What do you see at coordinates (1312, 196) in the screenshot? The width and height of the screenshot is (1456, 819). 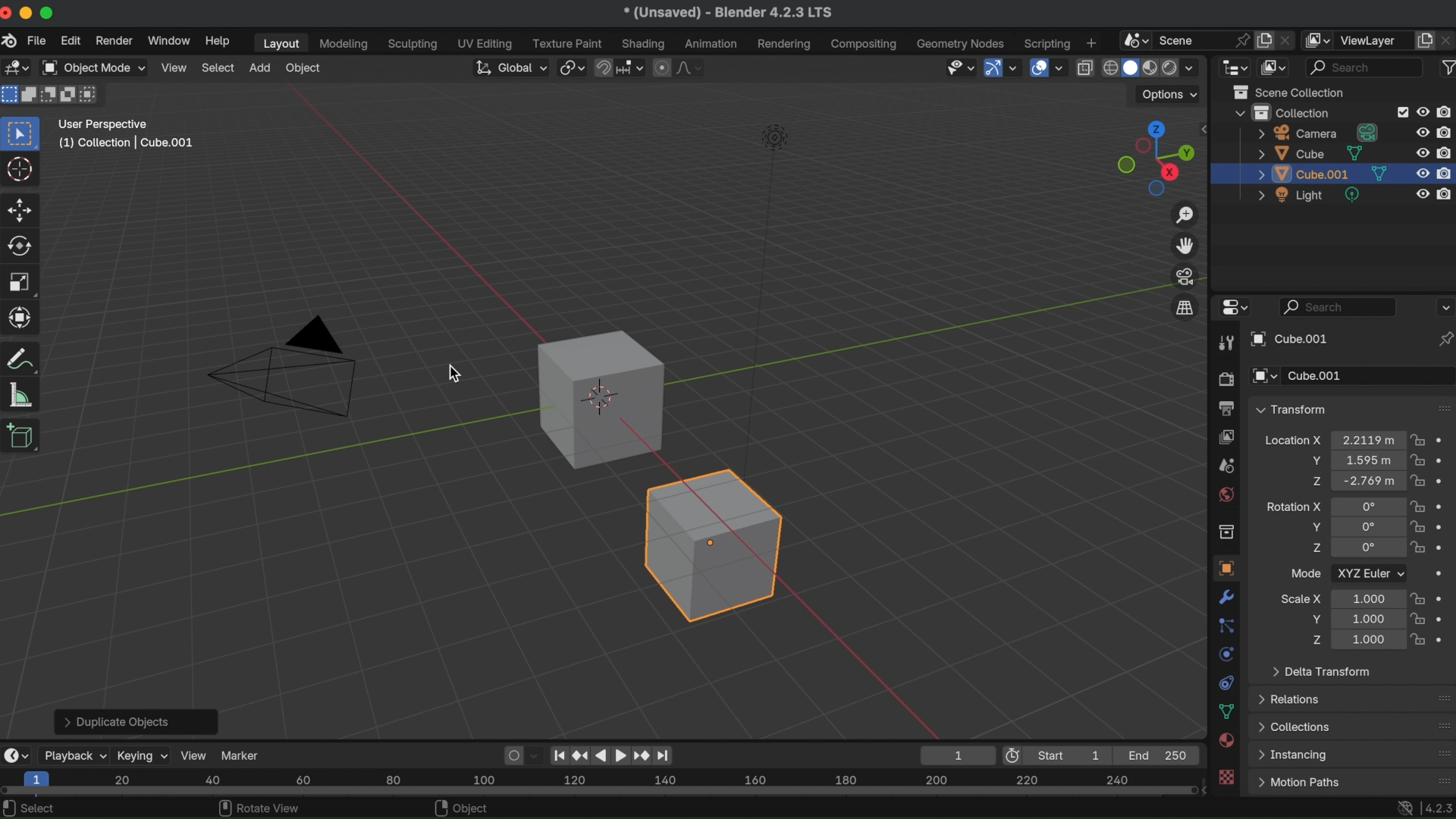 I see `light` at bounding box center [1312, 196].